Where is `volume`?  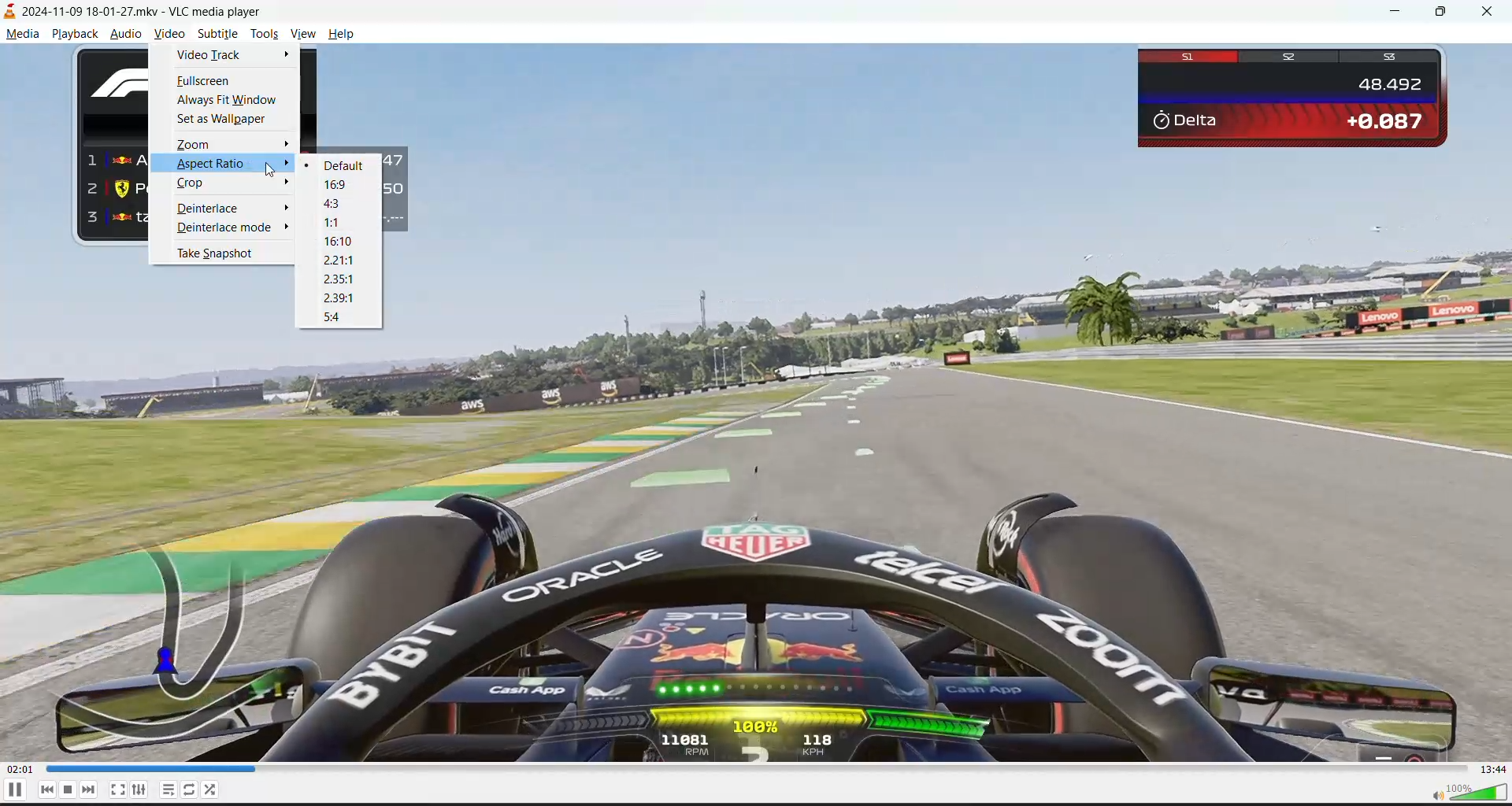 volume is located at coordinates (1466, 791).